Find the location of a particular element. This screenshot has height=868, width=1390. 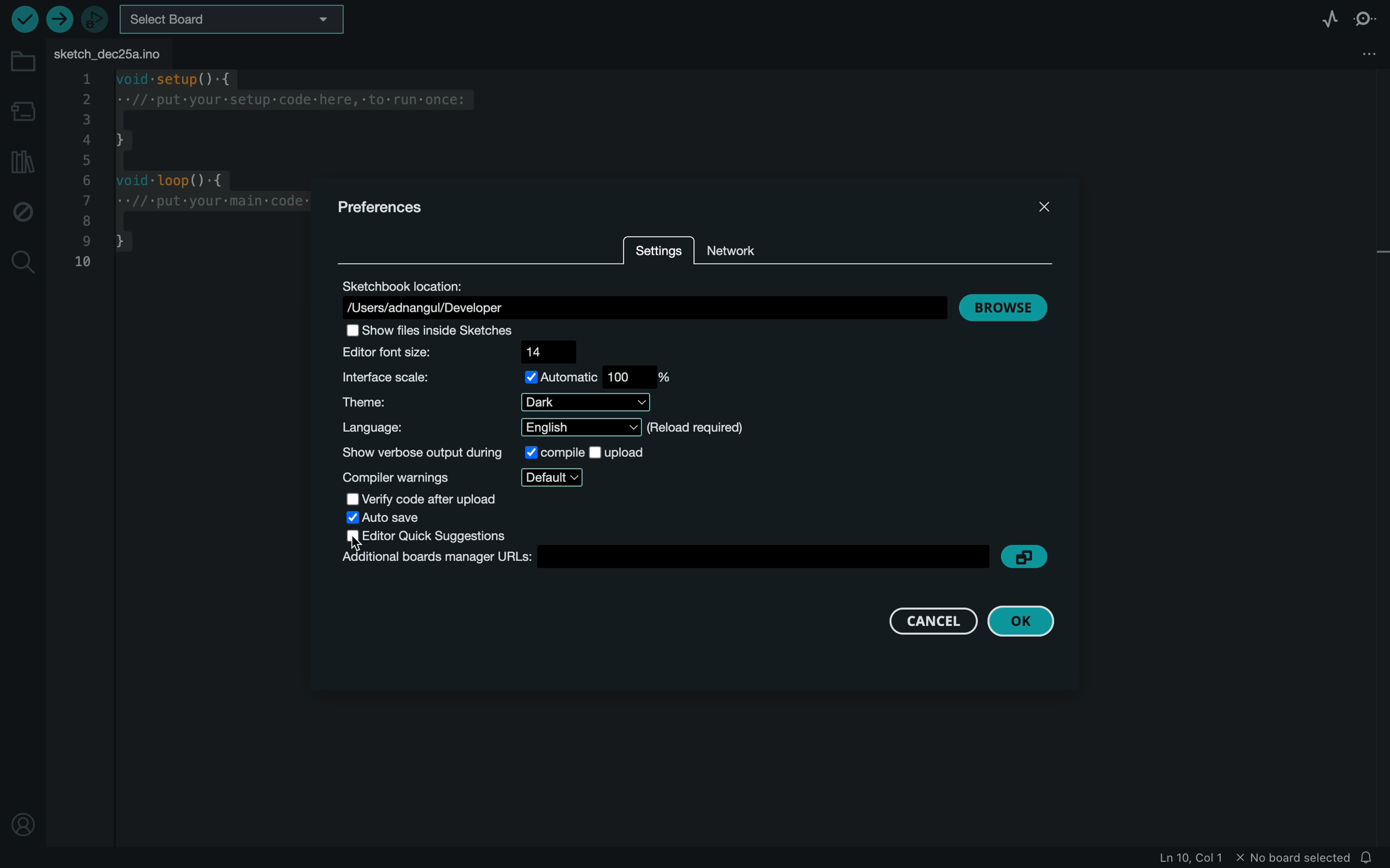

font  size is located at coordinates (470, 352).